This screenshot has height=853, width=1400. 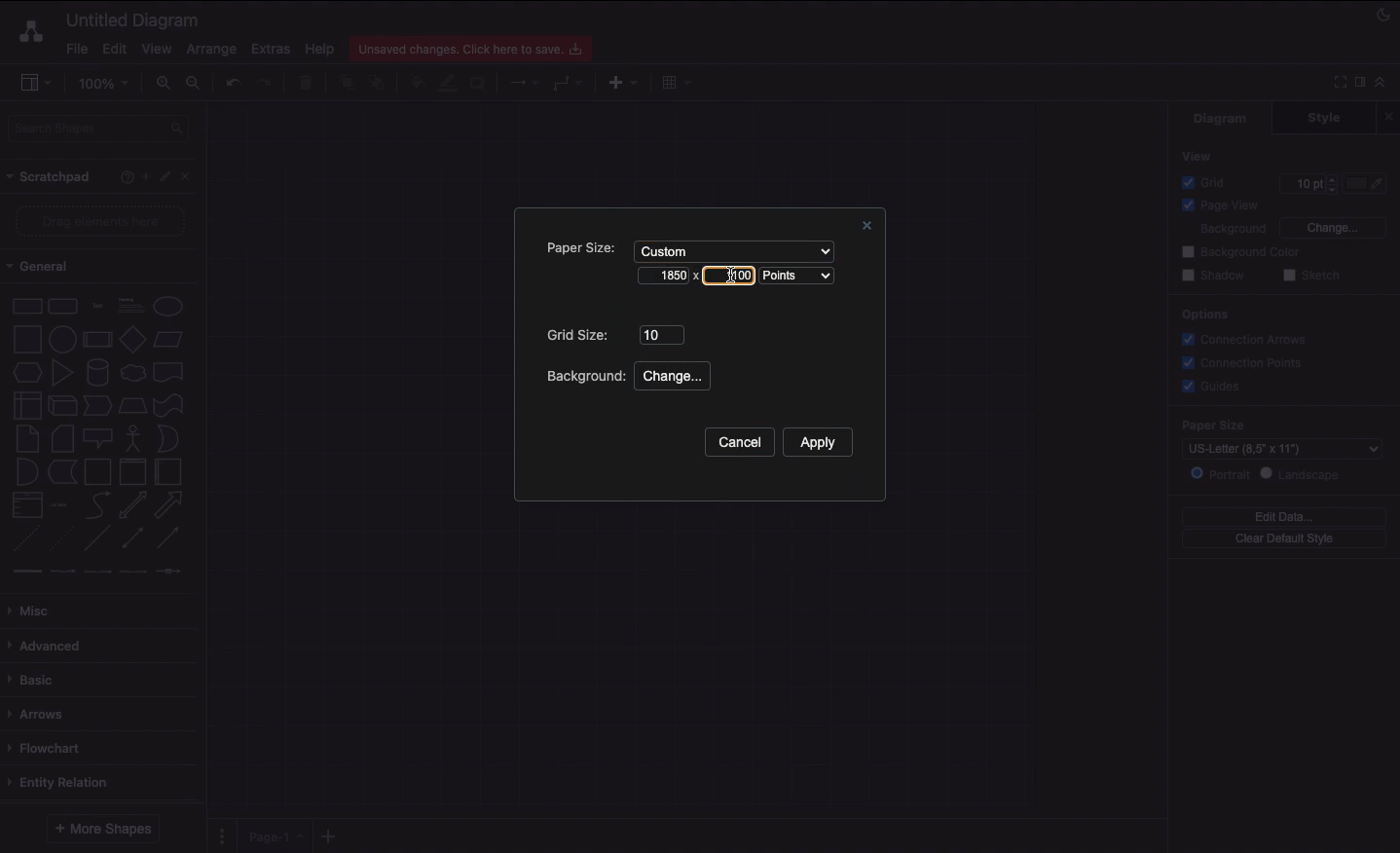 I want to click on Background , so click(x=1221, y=230).